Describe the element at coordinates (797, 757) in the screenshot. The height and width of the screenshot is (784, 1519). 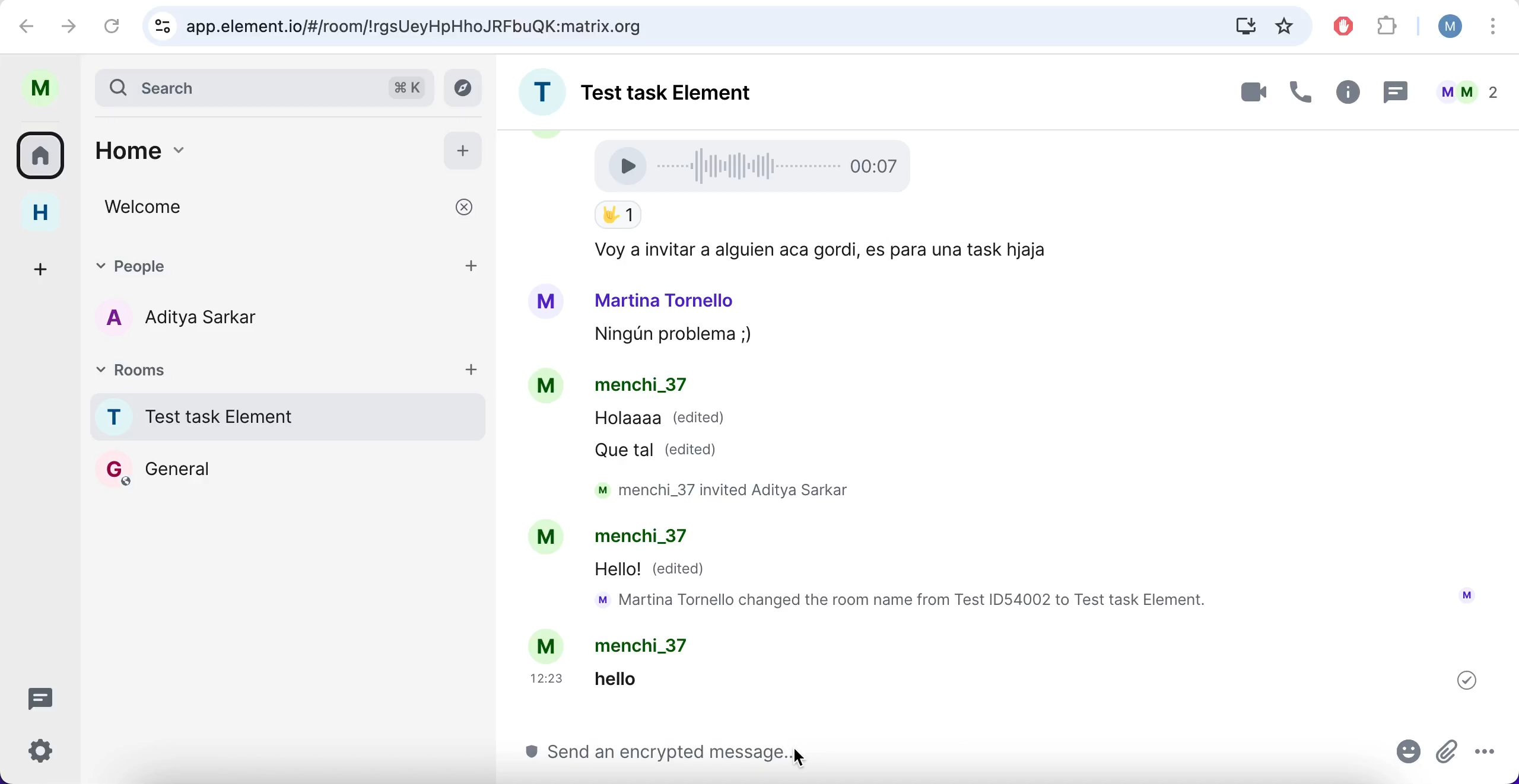
I see `Cursor` at that location.